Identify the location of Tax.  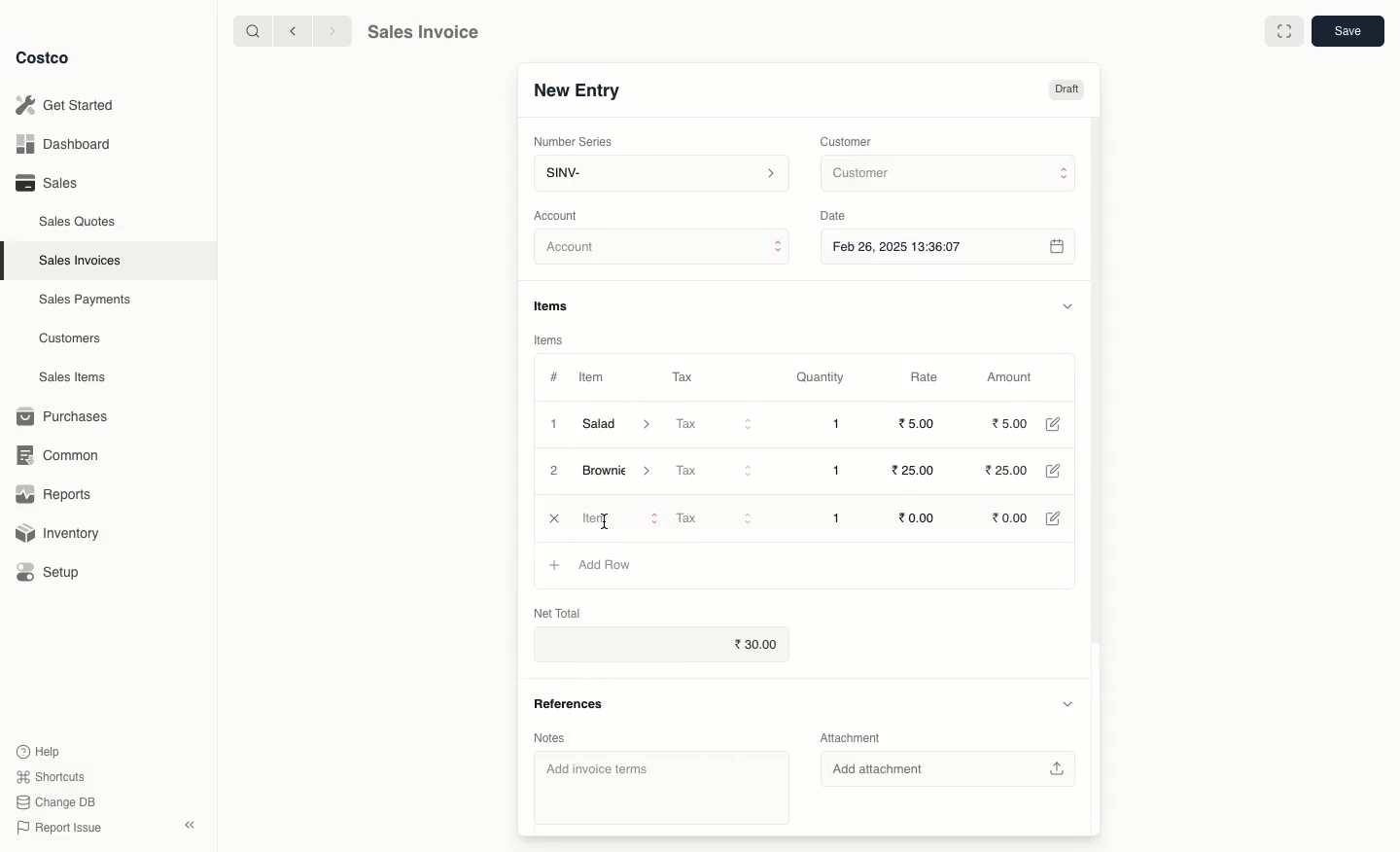
(714, 425).